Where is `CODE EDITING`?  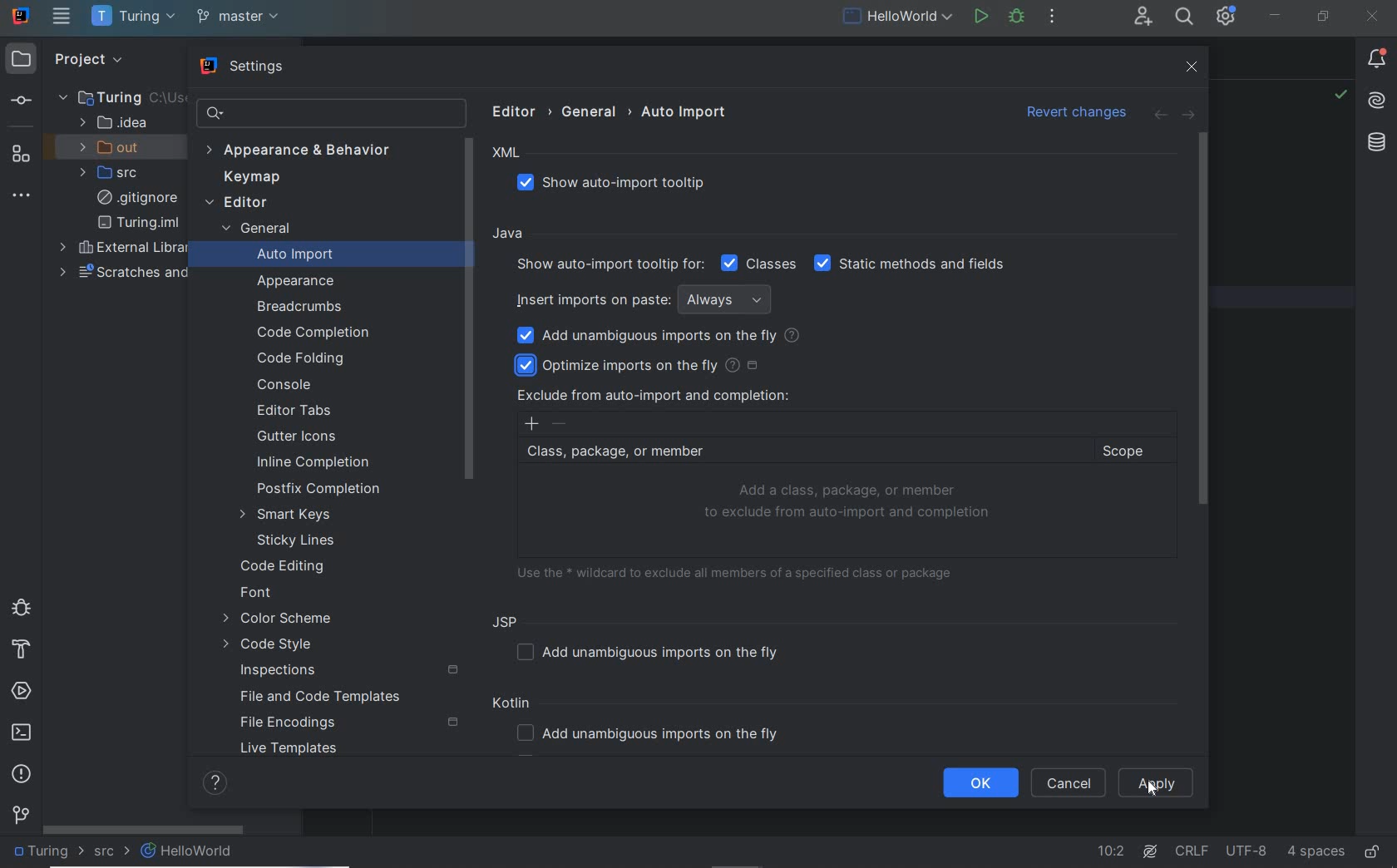
CODE EDITING is located at coordinates (284, 565).